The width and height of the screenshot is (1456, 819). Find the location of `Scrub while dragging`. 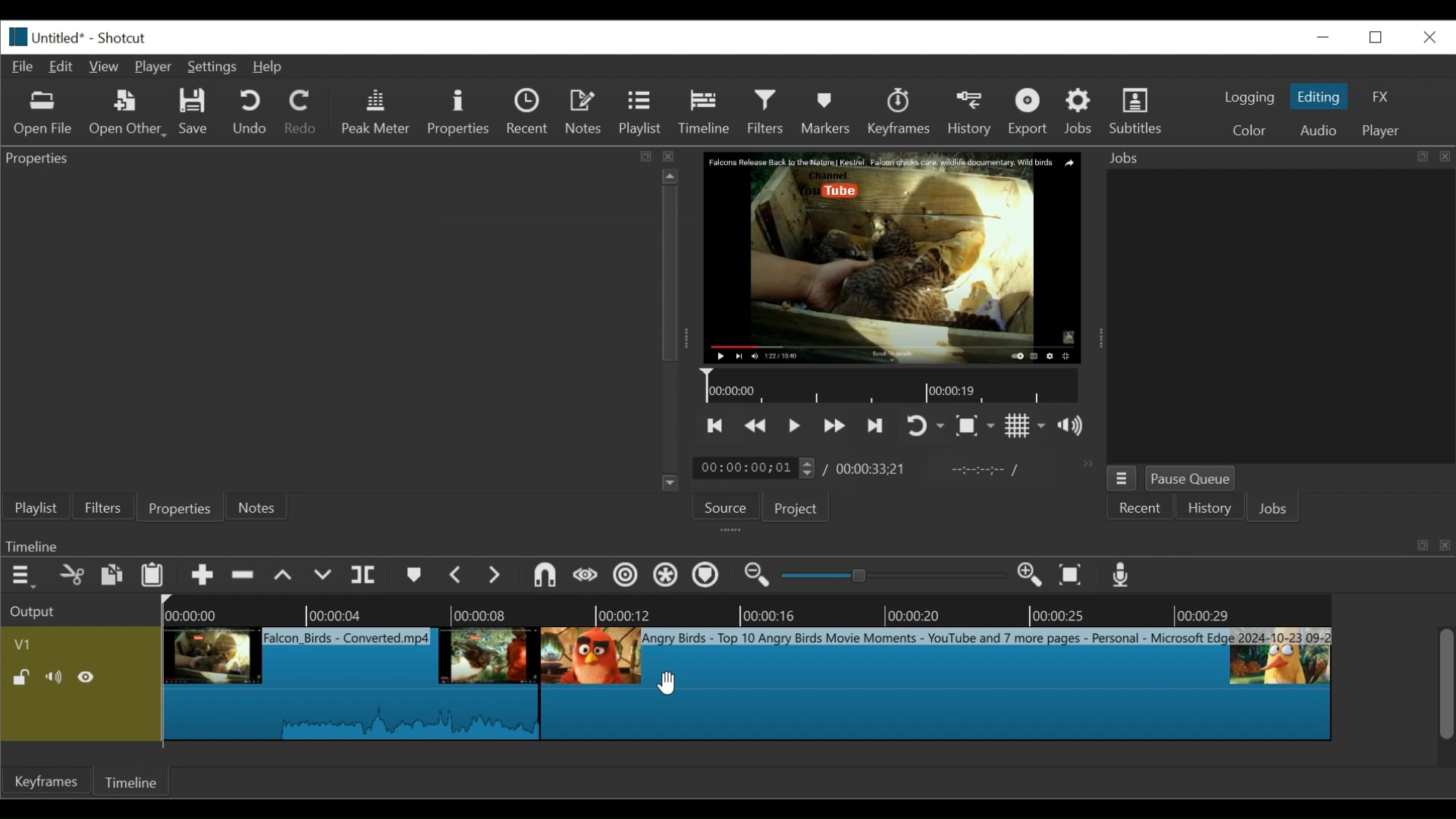

Scrub while dragging is located at coordinates (585, 574).